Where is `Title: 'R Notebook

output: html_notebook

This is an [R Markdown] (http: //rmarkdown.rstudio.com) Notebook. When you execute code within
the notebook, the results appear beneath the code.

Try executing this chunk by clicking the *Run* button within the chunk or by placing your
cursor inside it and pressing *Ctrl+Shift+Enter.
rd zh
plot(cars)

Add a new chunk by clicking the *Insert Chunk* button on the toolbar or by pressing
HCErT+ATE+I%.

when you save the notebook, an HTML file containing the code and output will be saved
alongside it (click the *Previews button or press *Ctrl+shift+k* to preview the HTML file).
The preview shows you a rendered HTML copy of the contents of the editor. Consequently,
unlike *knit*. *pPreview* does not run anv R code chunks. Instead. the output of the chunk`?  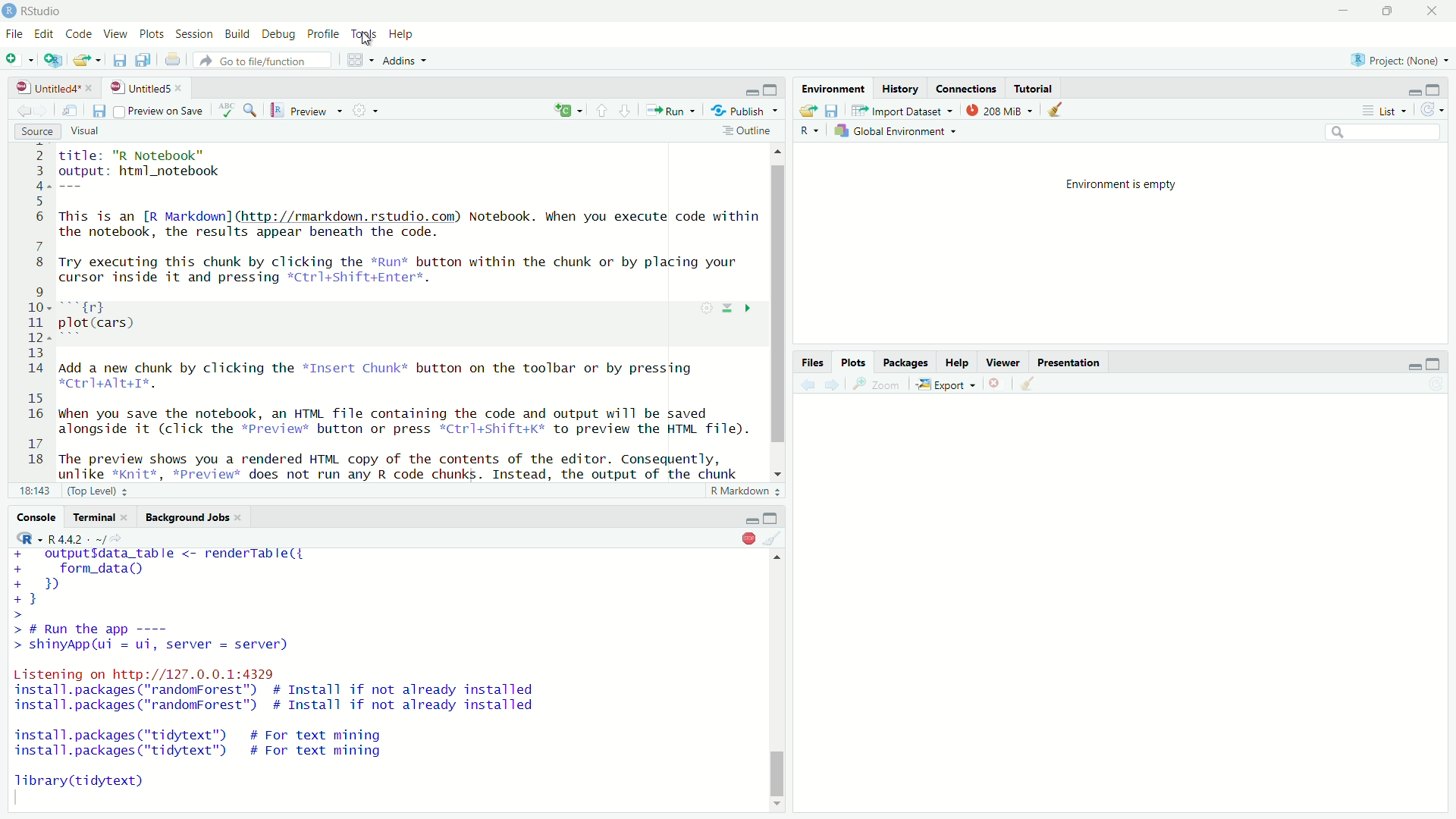 Title: 'R Notebook

output: html_notebook

This is an [R Markdown] (http: //rmarkdown.rstudio.com) Notebook. When you execute code within
the notebook, the results appear beneath the code.

Try executing this chunk by clicking the *Run* button within the chunk or by placing your
cursor inside it and pressing *Ctrl+Shift+Enter.
rd zh
plot(cars)

Add a new chunk by clicking the *Insert Chunk* button on the toolbar or by pressing
HCErT+ATE+I%.

when you save the notebook, an HTML file containing the code and output will be saved
alongside it (click the *Previews button or press *Ctrl+shift+k* to preview the HTML file).
The preview shows you a rendered HTML copy of the contents of the editor. Consequently,
unlike *knit*. *pPreview* does not run anv R code chunks. Instead. the output of the chunk is located at coordinates (407, 312).